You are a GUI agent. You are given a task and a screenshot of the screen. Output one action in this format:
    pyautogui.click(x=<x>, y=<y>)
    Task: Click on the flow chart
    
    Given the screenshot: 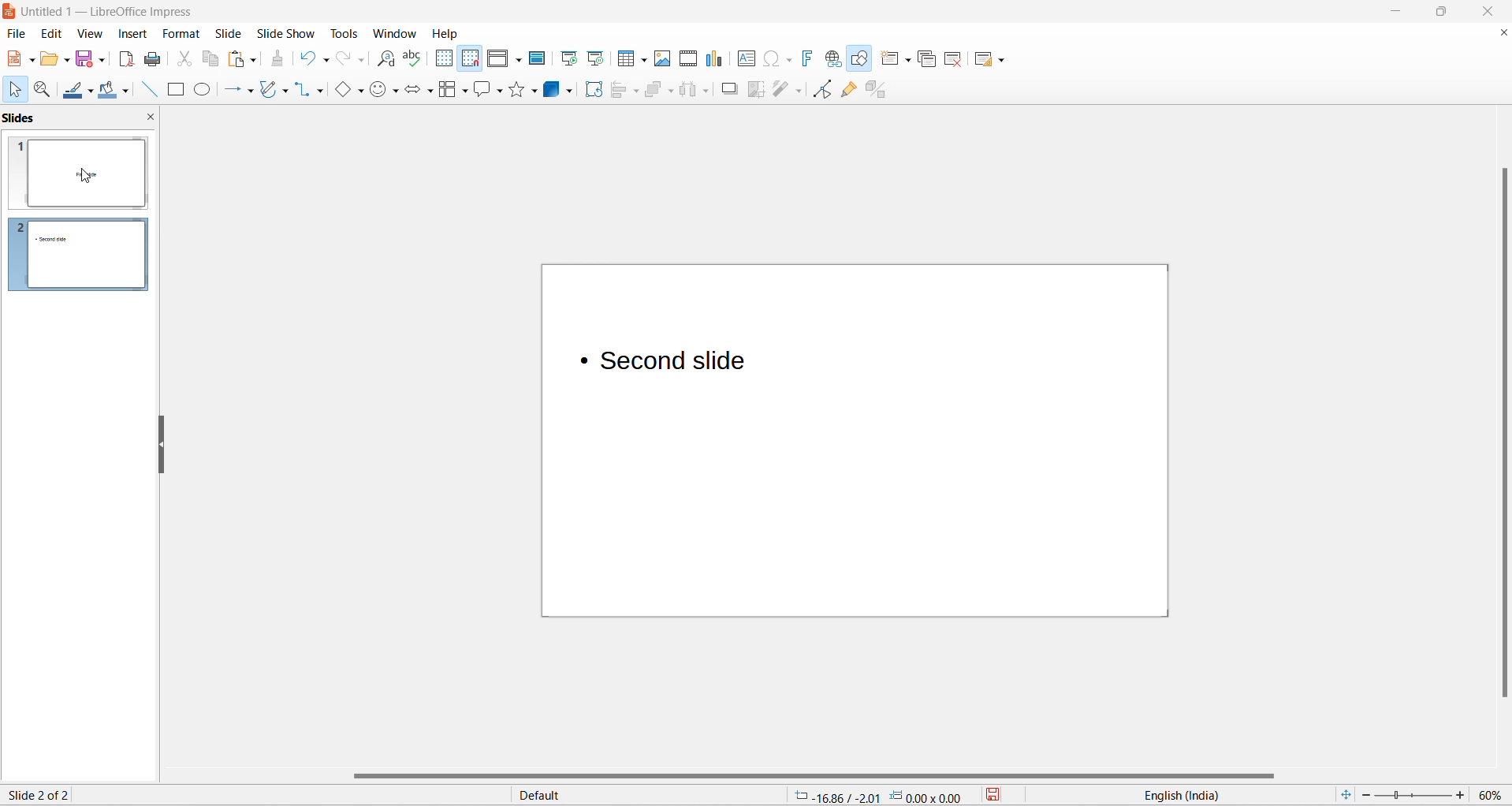 What is the action you would take?
    pyautogui.click(x=445, y=89)
    